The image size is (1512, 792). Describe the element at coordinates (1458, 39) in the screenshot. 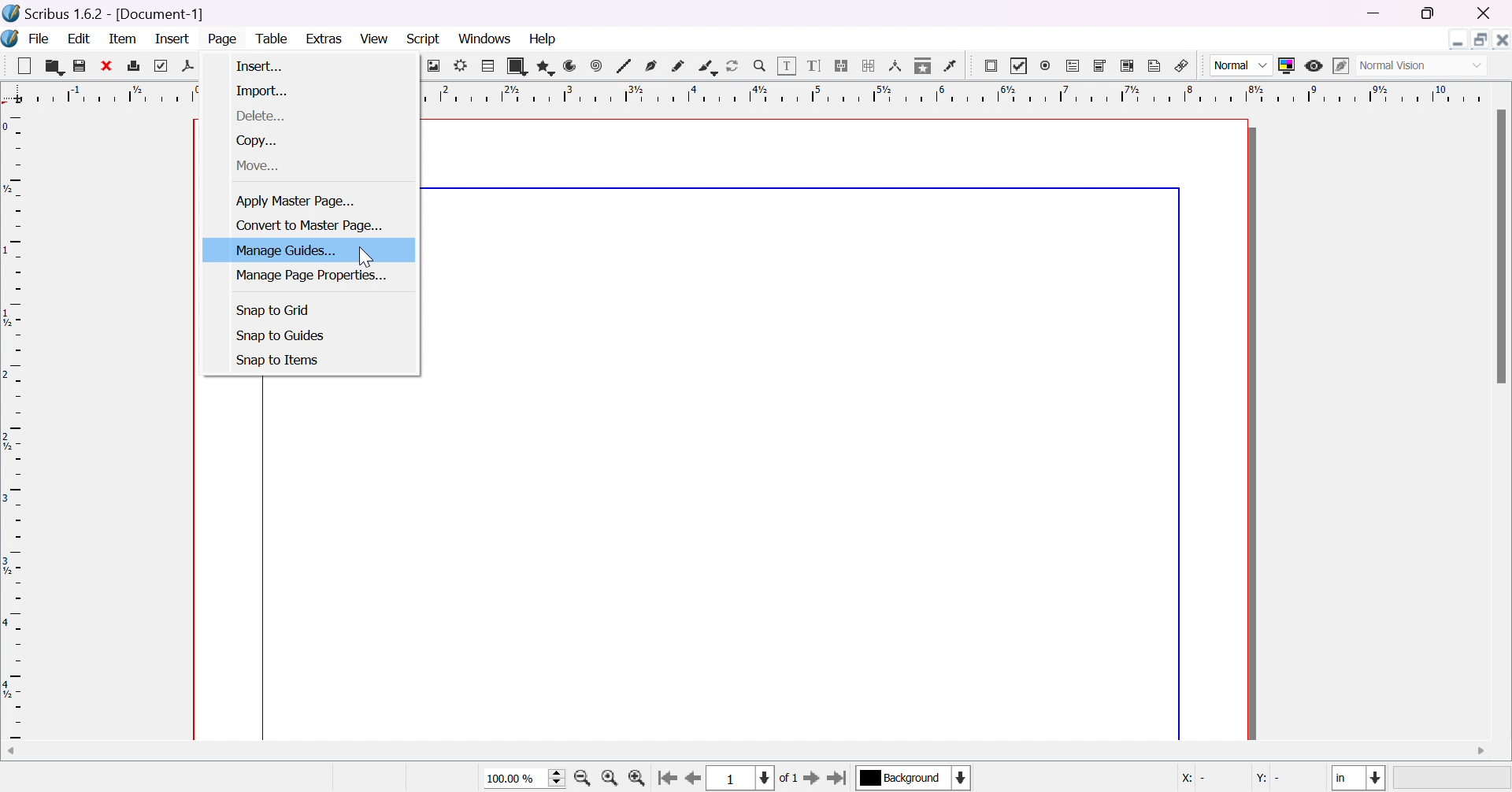

I see `Minimize` at that location.